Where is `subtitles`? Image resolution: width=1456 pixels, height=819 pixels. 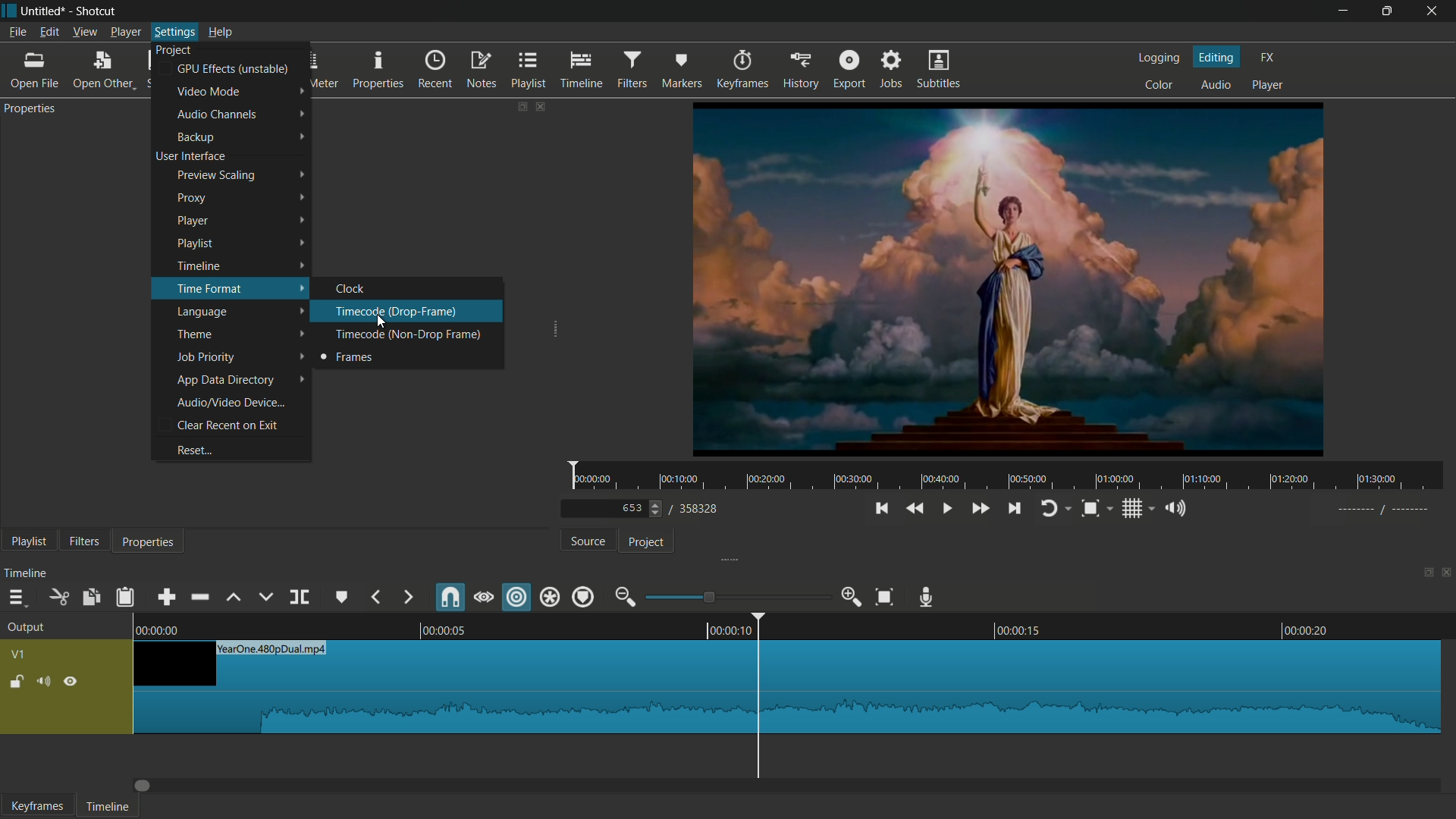
subtitles is located at coordinates (939, 67).